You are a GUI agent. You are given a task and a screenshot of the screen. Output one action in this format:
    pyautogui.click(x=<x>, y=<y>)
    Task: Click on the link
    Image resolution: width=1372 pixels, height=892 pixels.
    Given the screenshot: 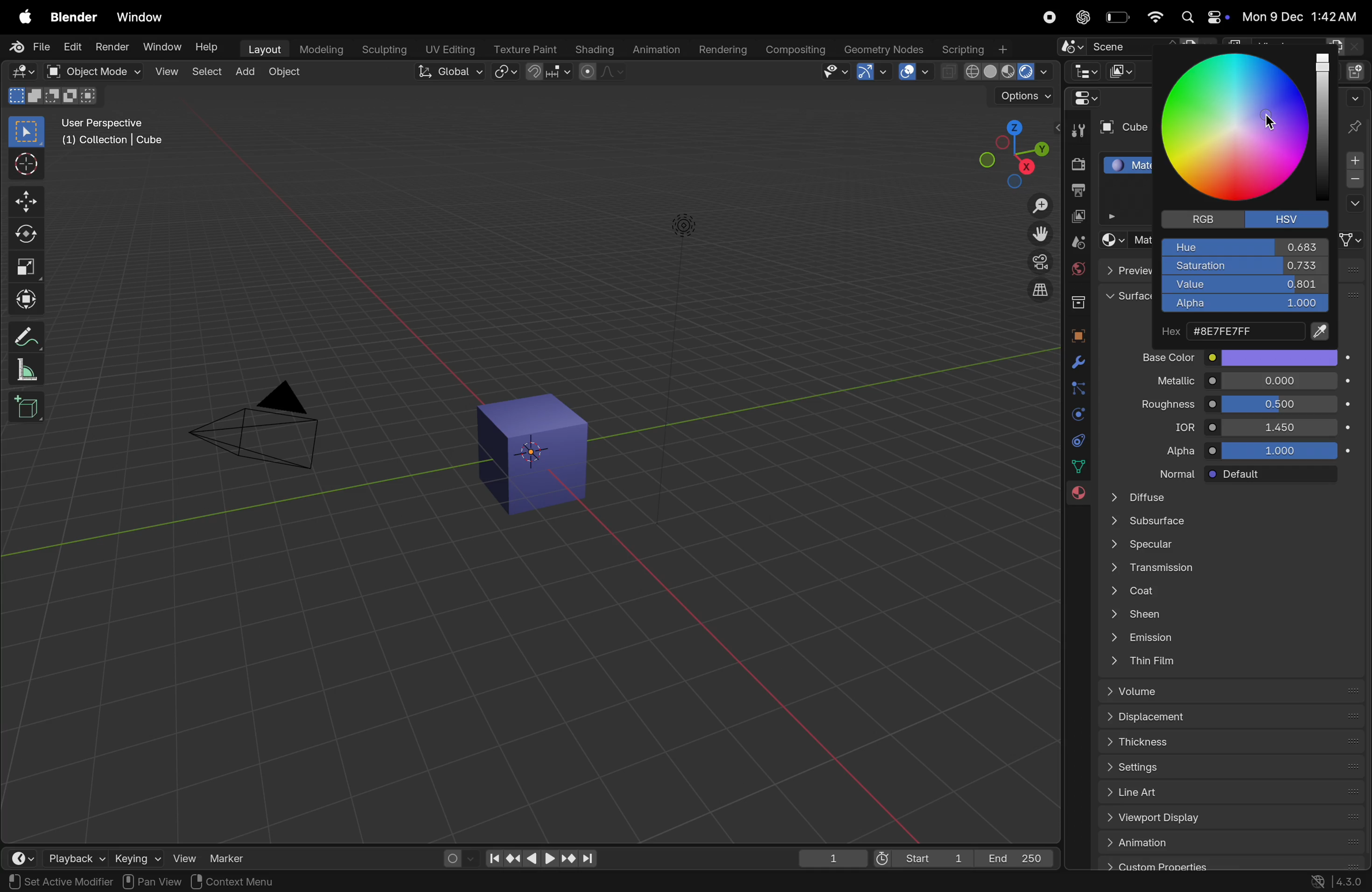 What is the action you would take?
    pyautogui.click(x=1352, y=240)
    